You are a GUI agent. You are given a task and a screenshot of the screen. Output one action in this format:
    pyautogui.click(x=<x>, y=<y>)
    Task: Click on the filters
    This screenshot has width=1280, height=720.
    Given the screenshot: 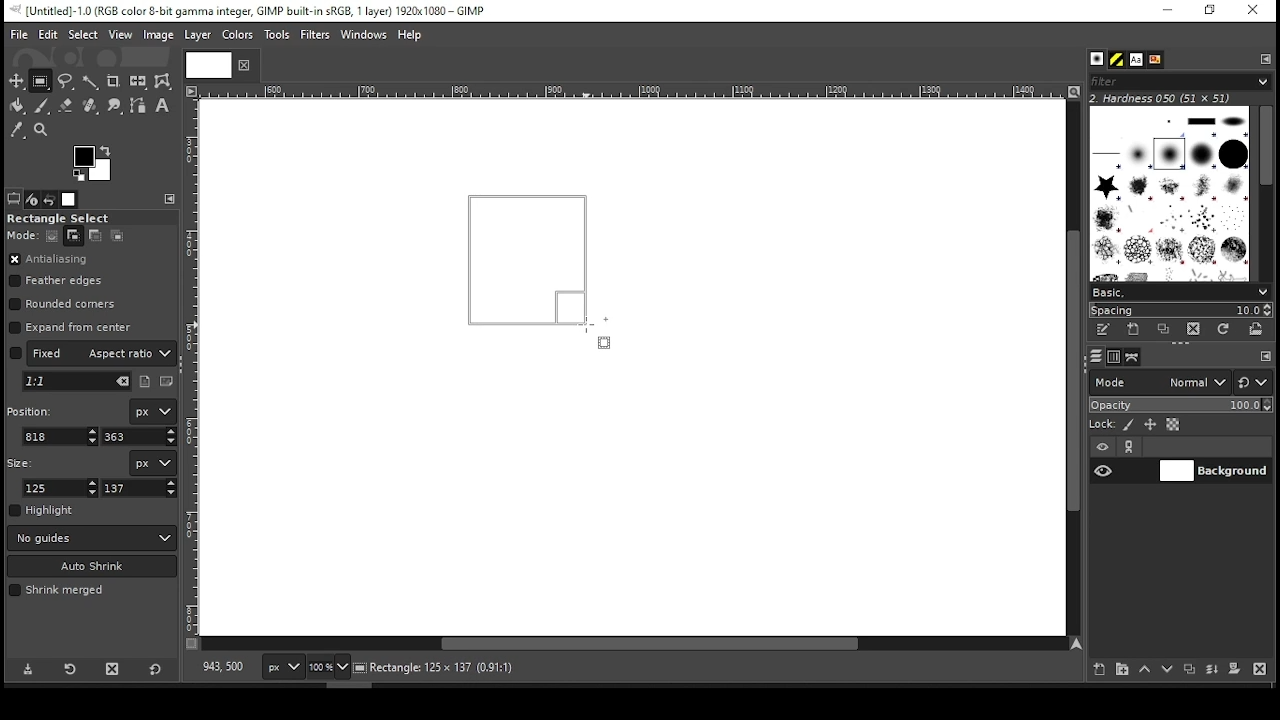 What is the action you would take?
    pyautogui.click(x=318, y=35)
    